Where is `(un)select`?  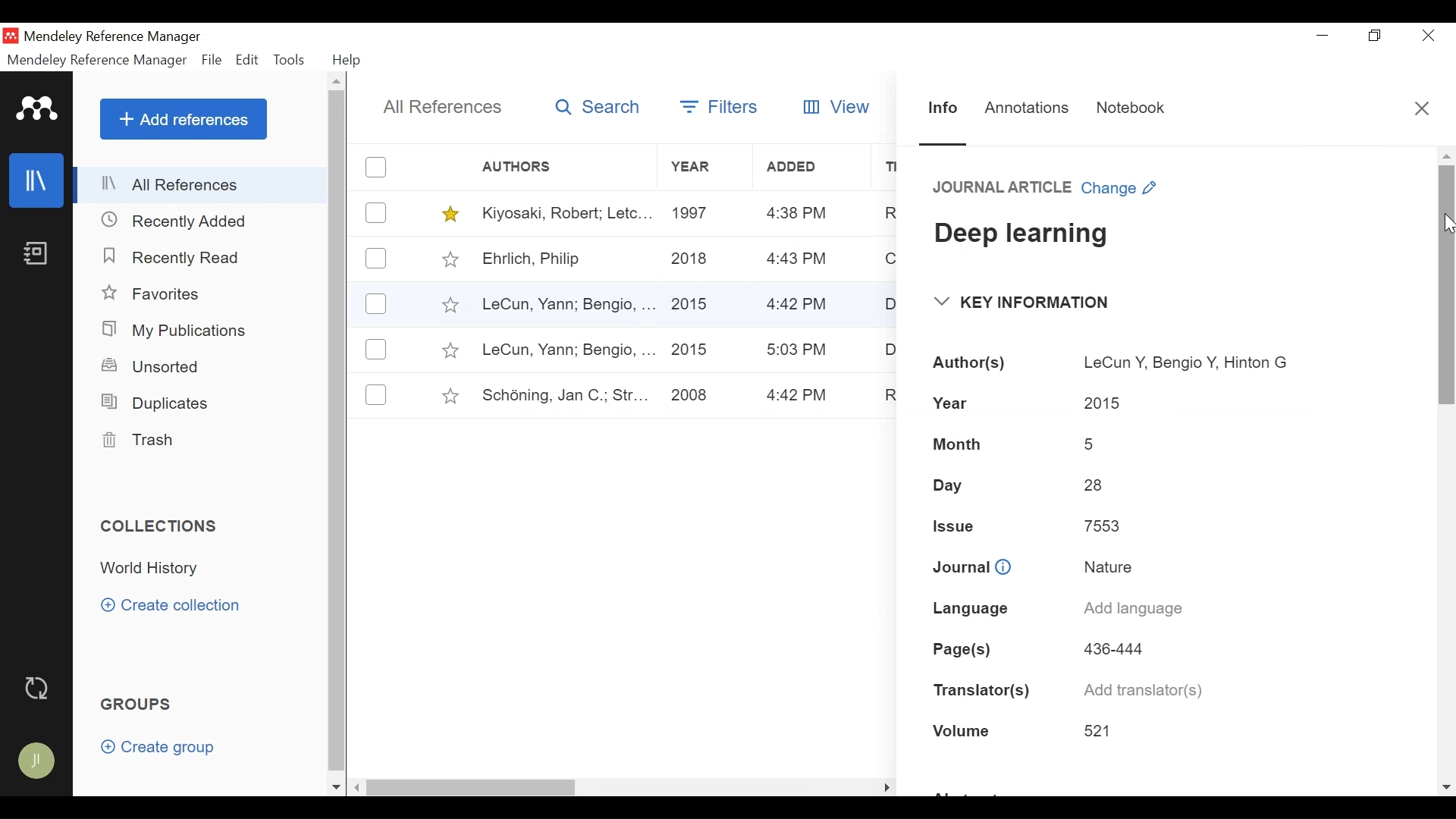 (un)select is located at coordinates (376, 213).